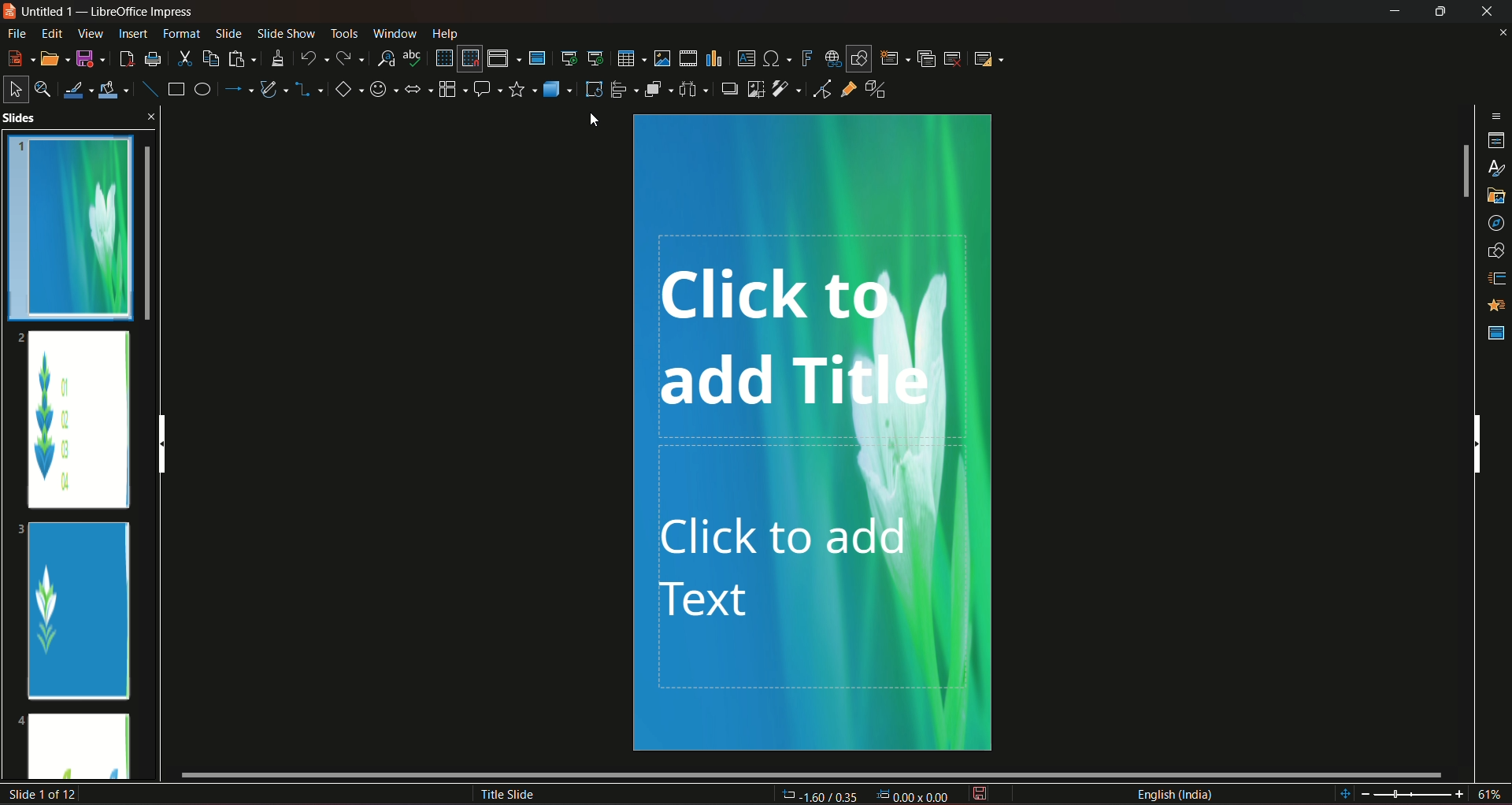  Describe the element at coordinates (1392, 13) in the screenshot. I see `minimize` at that location.